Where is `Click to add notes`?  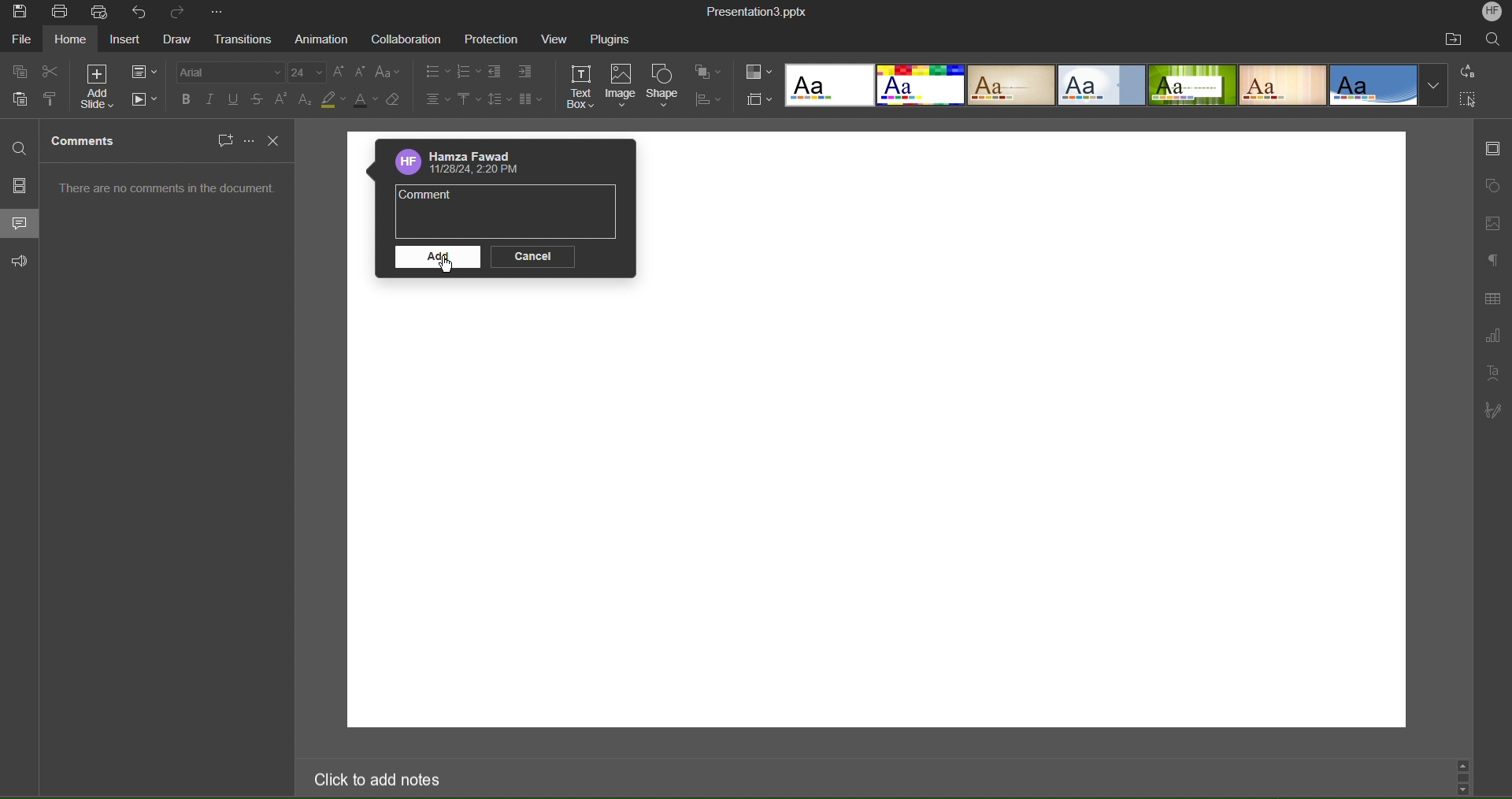 Click to add notes is located at coordinates (372, 779).